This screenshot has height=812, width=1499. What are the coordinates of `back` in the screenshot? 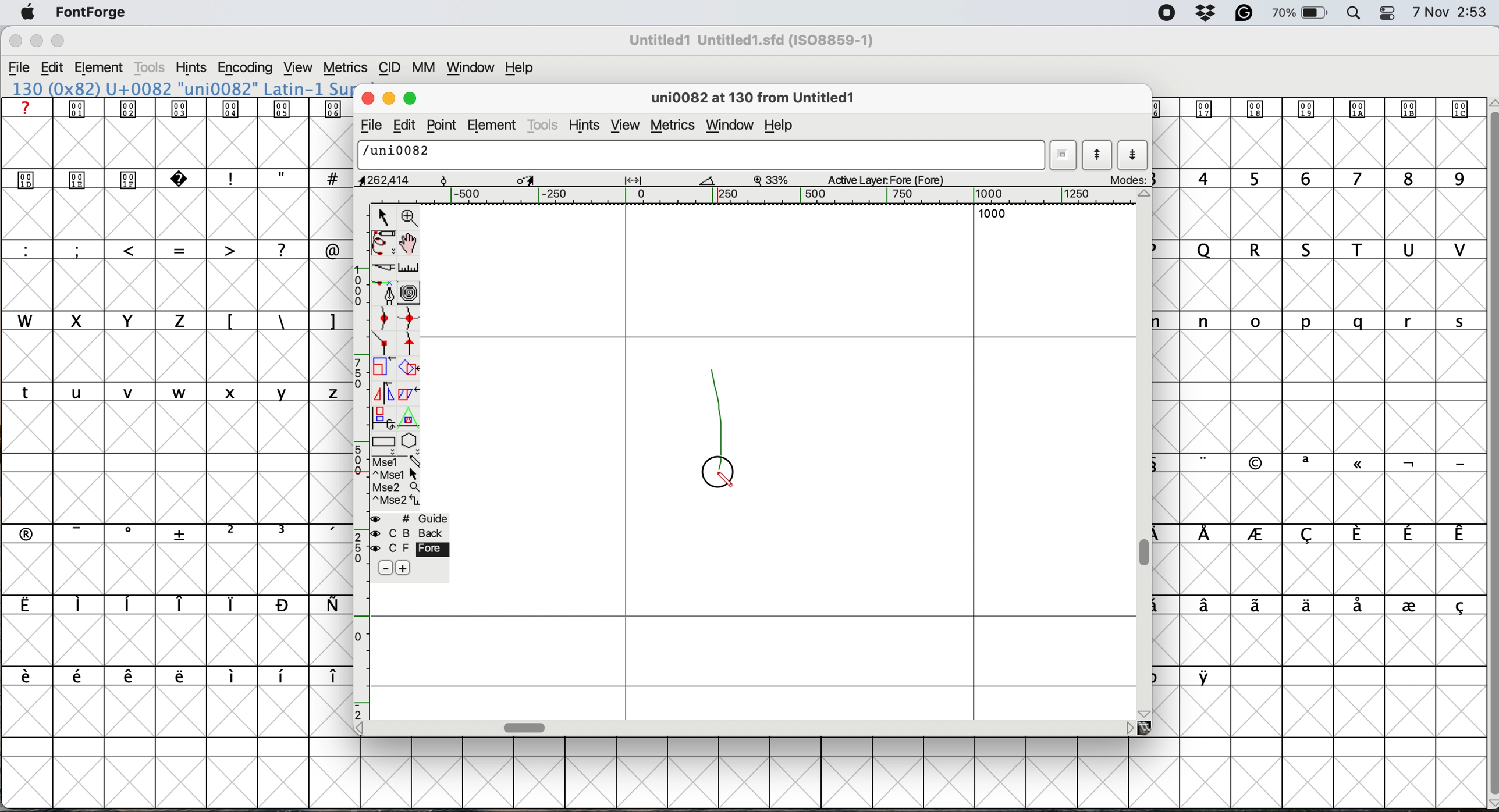 It's located at (409, 533).